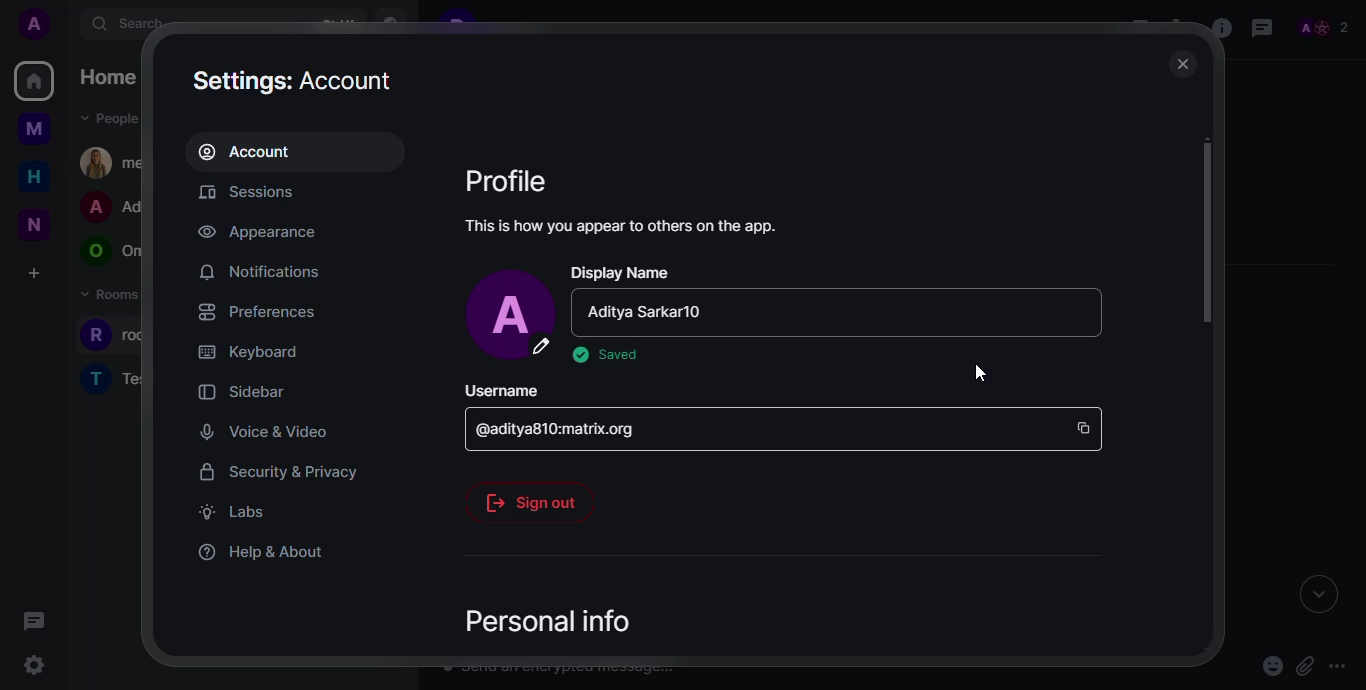  Describe the element at coordinates (512, 315) in the screenshot. I see `profile pic` at that location.